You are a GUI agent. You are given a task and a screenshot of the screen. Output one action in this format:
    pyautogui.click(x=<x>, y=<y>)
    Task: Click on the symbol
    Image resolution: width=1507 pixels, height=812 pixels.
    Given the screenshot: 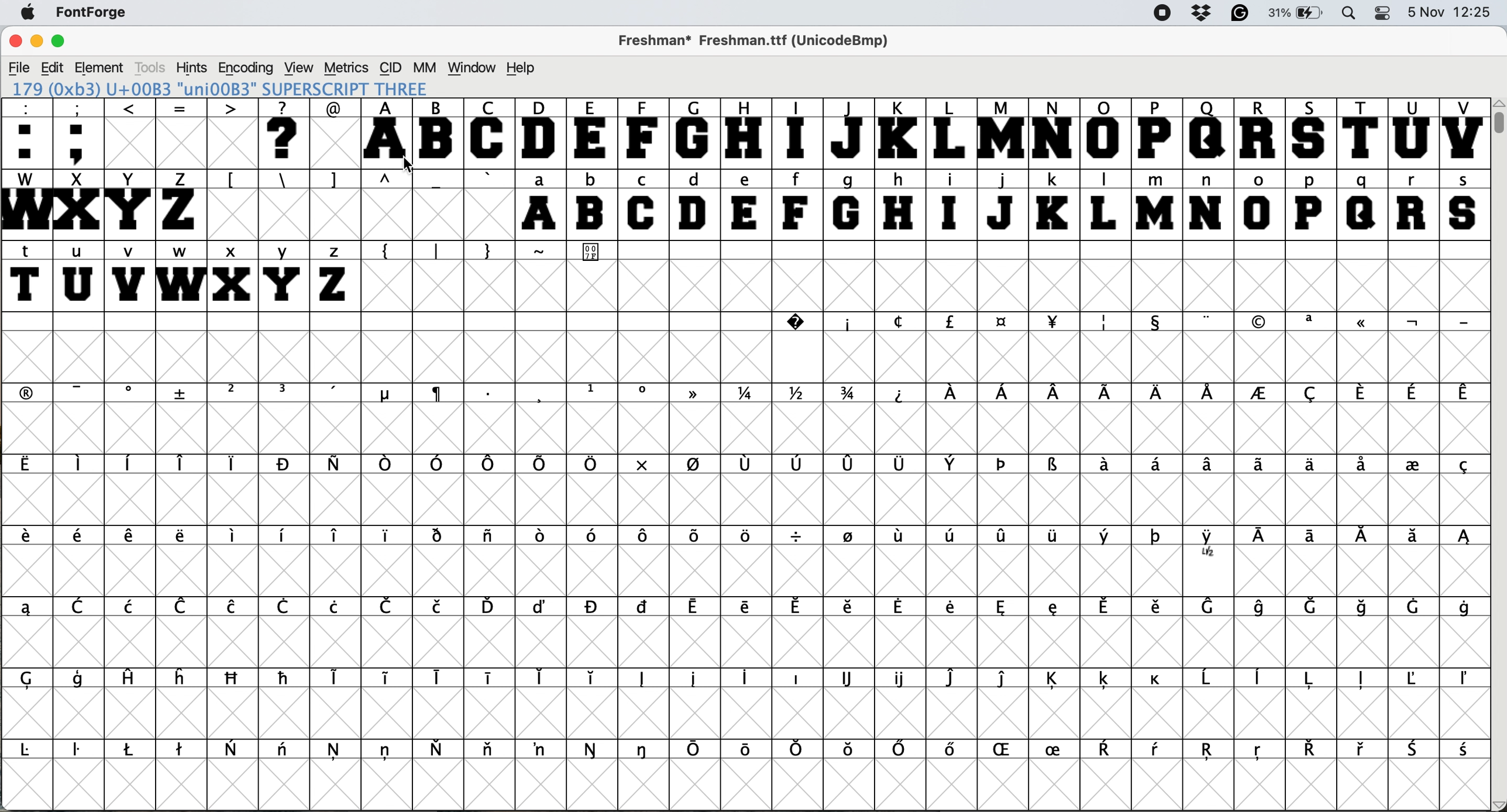 What is the action you would take?
    pyautogui.click(x=336, y=607)
    